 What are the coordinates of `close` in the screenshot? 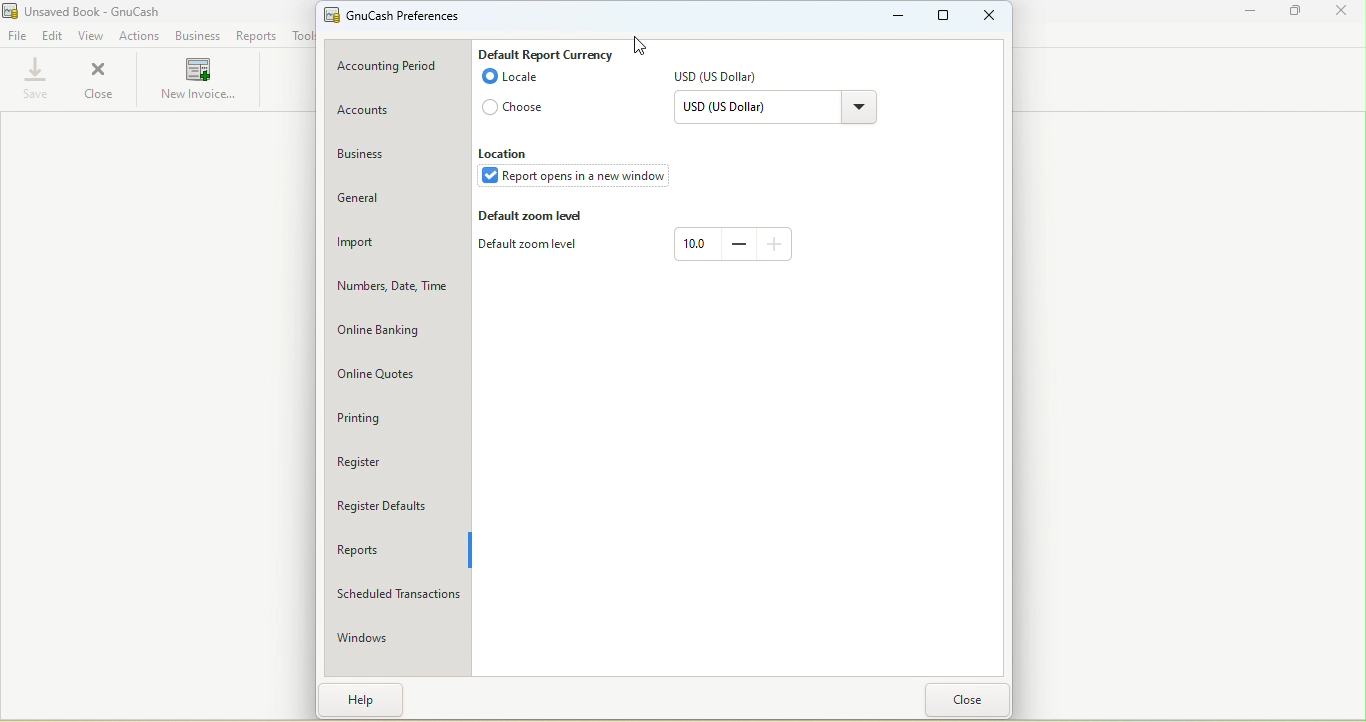 It's located at (967, 699).